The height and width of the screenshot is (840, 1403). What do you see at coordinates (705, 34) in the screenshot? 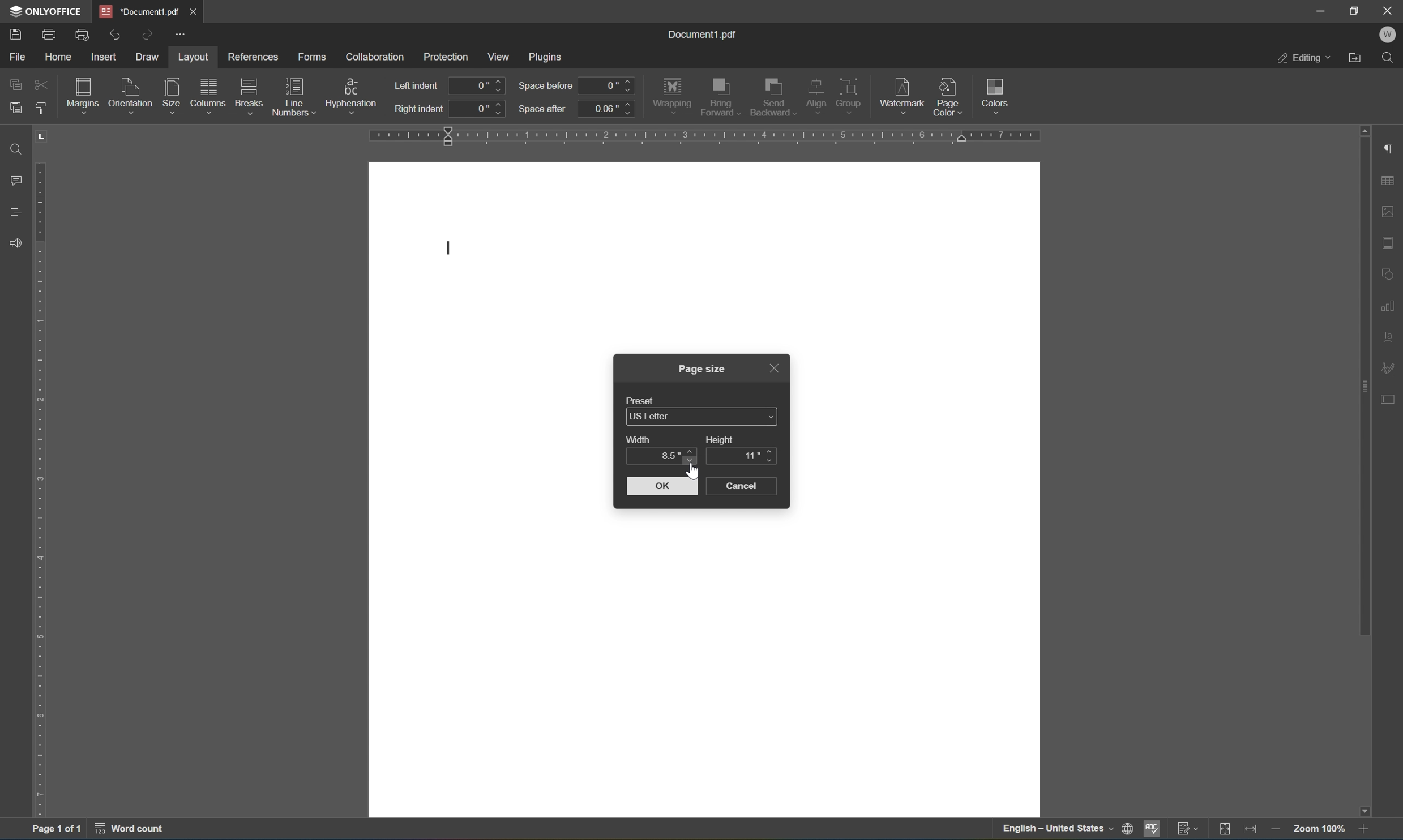
I see `document1.pdf` at bounding box center [705, 34].